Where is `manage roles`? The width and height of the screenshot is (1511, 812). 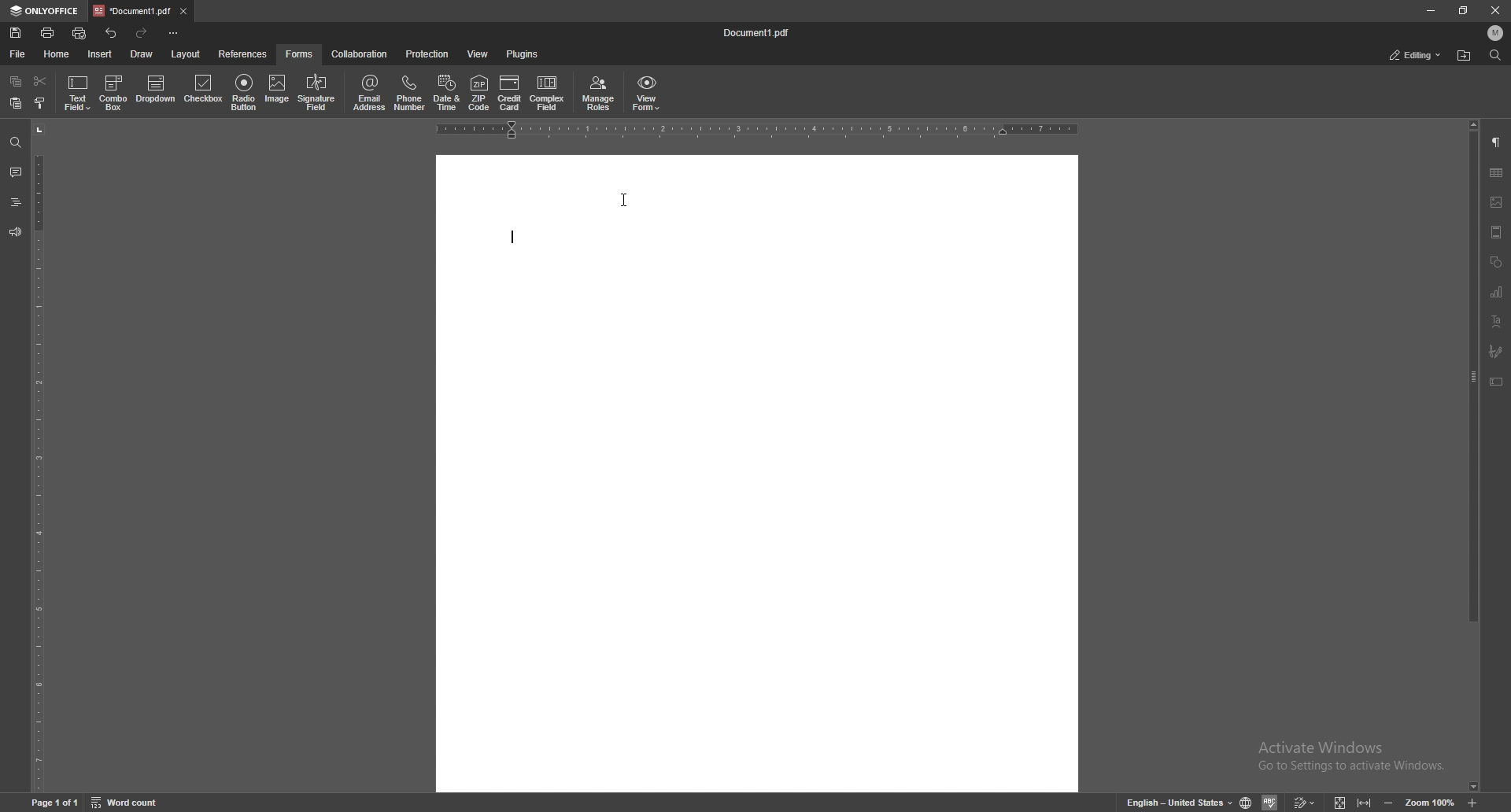
manage roles is located at coordinates (597, 93).